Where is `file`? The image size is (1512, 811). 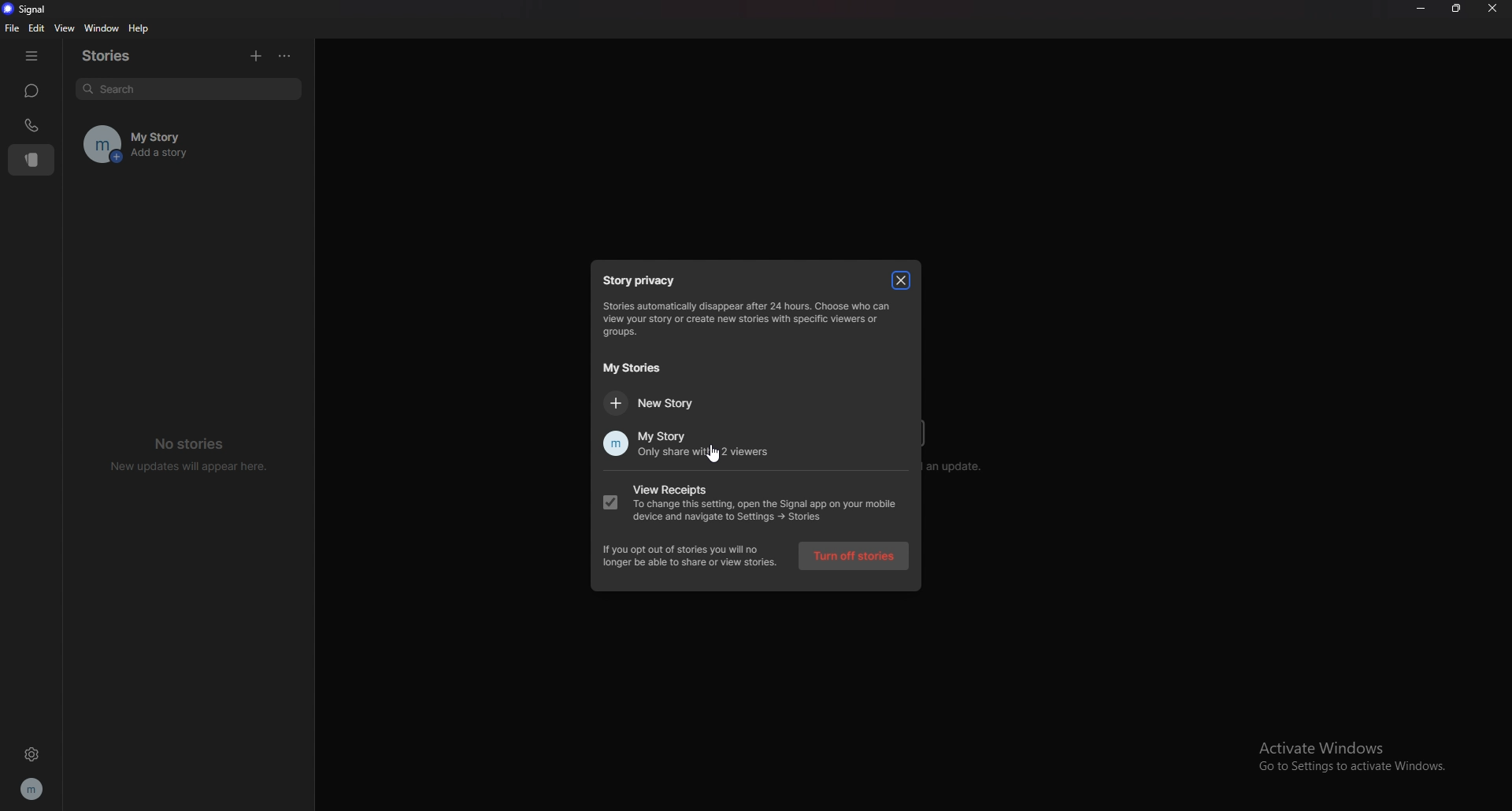
file is located at coordinates (11, 28).